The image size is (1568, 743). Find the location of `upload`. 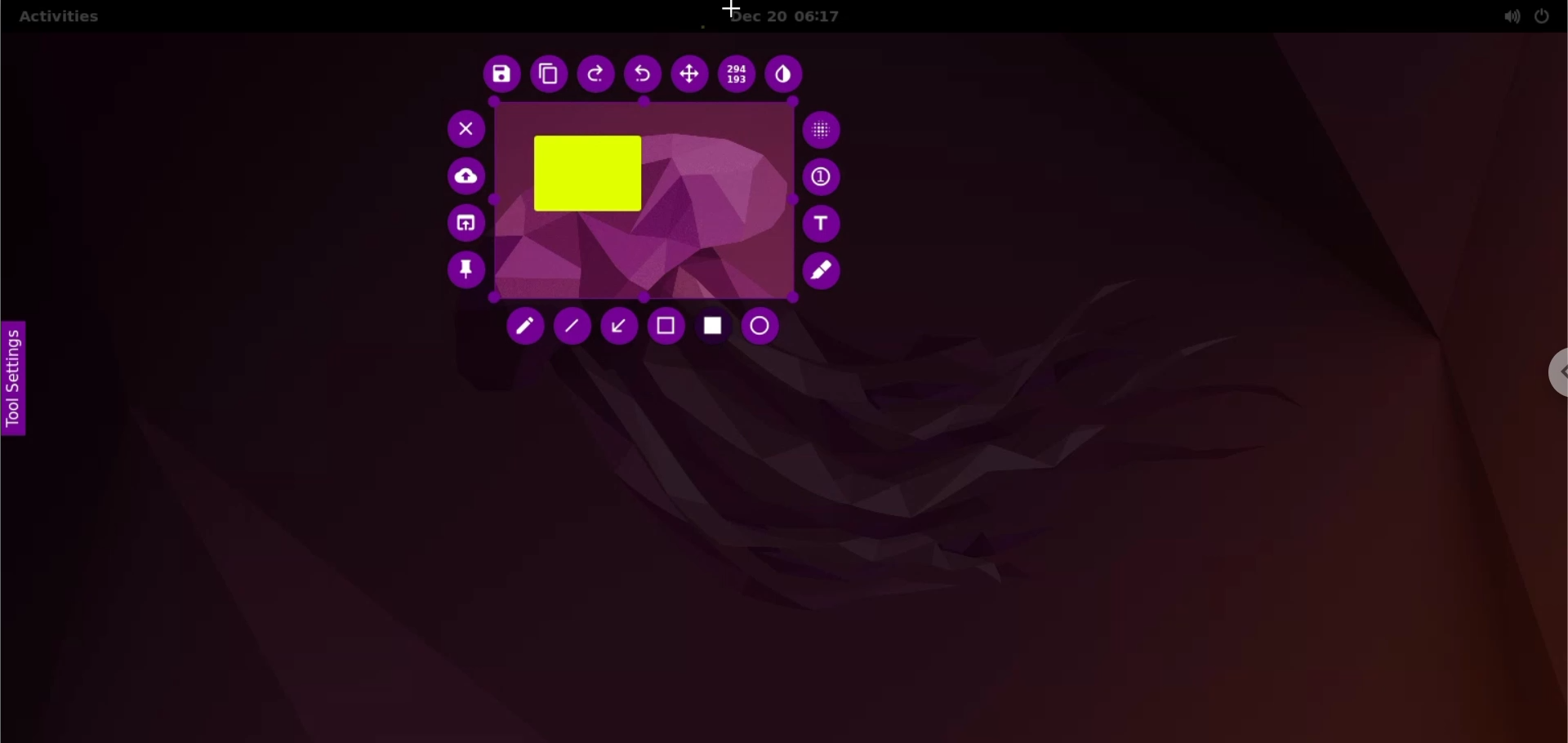

upload is located at coordinates (468, 177).